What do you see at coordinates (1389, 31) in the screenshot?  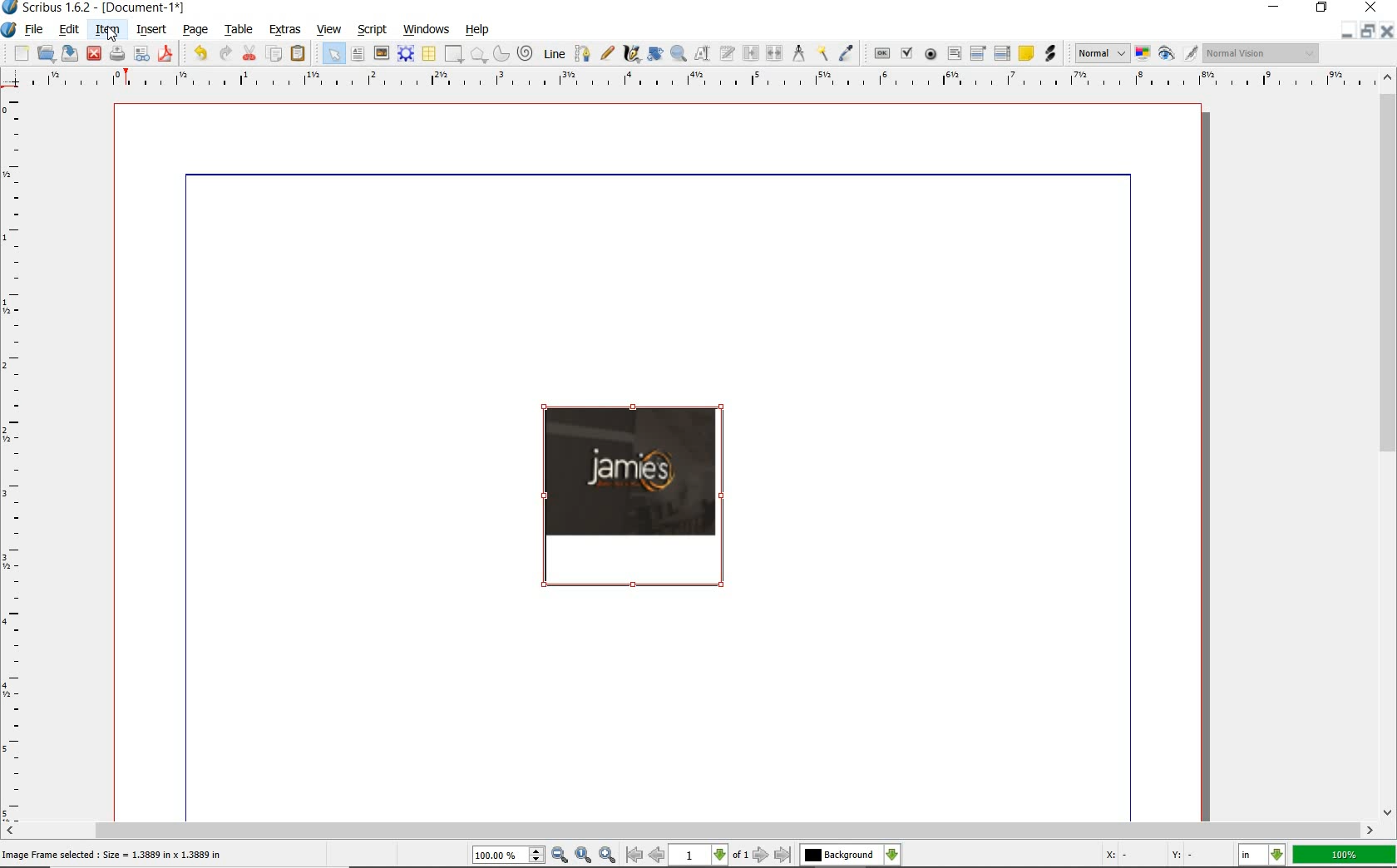 I see `Close` at bounding box center [1389, 31].